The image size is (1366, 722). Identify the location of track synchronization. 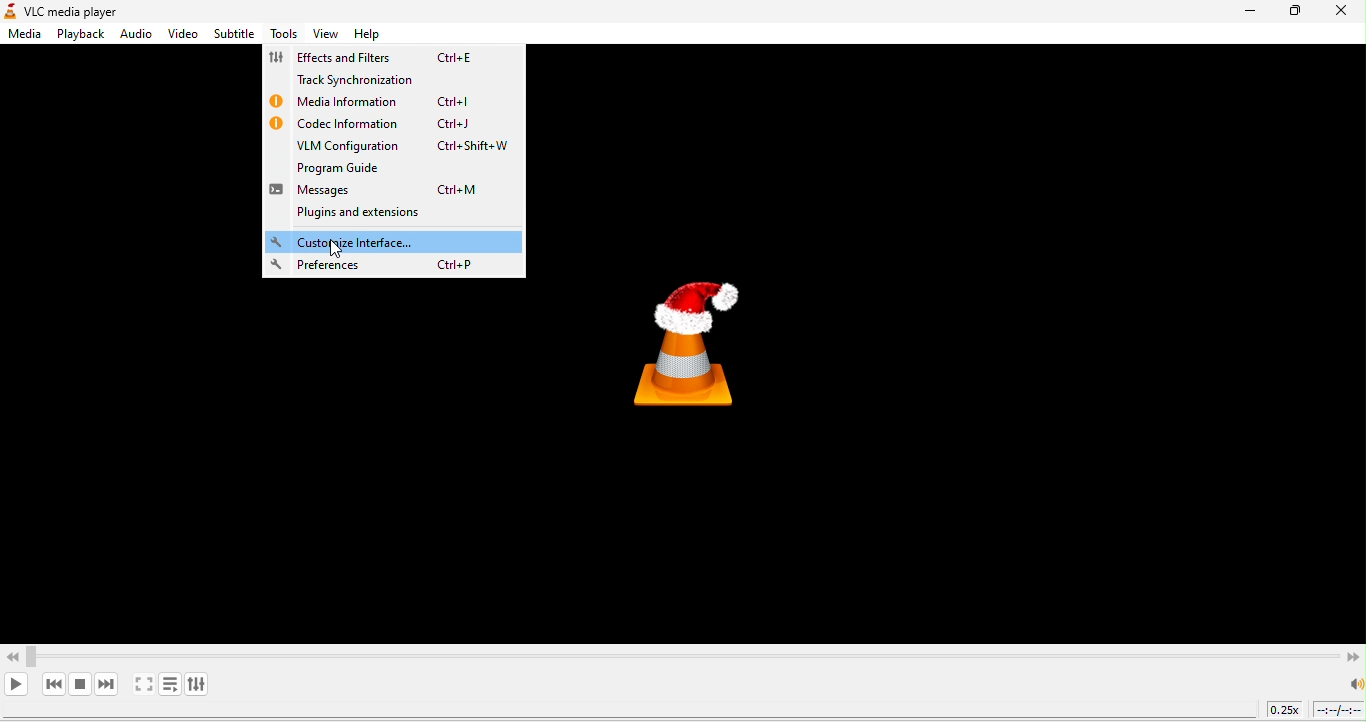
(392, 79).